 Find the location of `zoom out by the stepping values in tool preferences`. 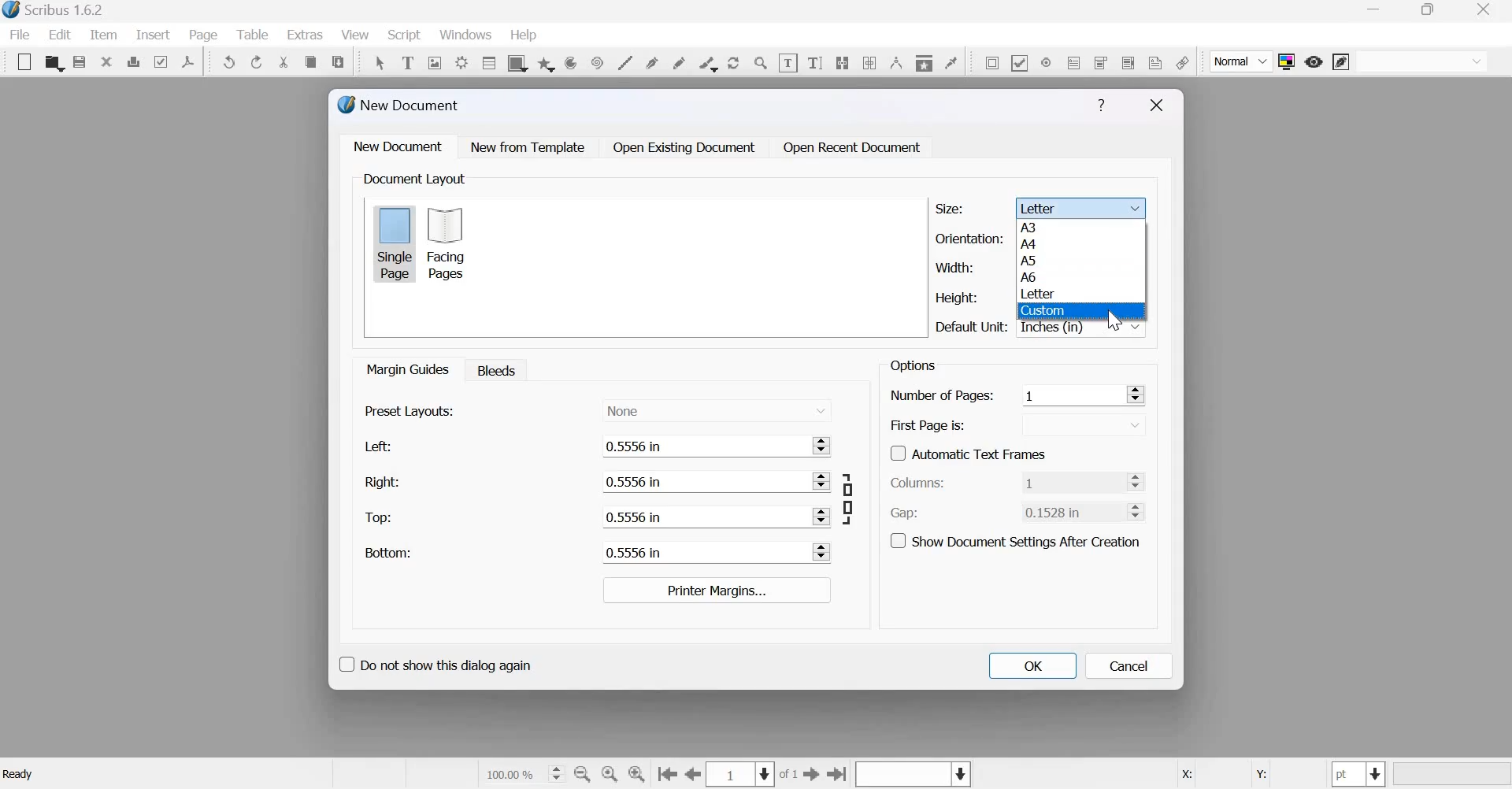

zoom out by the stepping values in tool preferences is located at coordinates (584, 774).